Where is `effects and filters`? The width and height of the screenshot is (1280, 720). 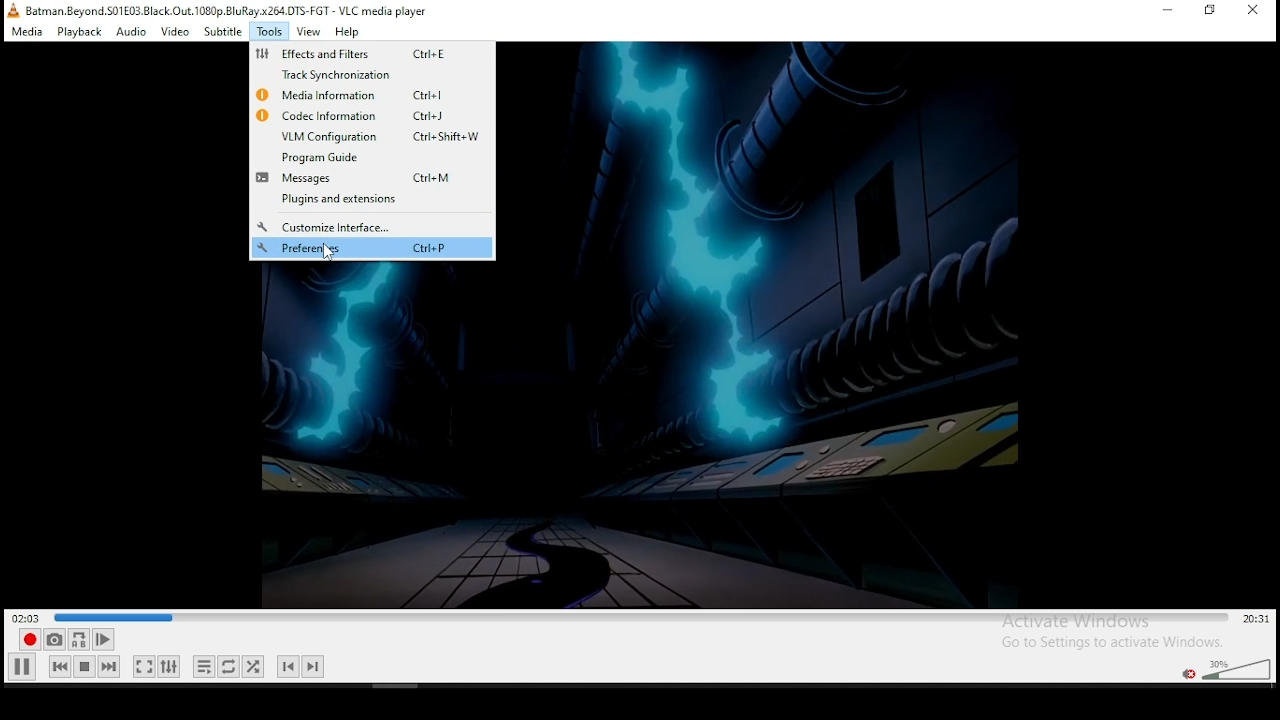 effects and filters is located at coordinates (372, 54).